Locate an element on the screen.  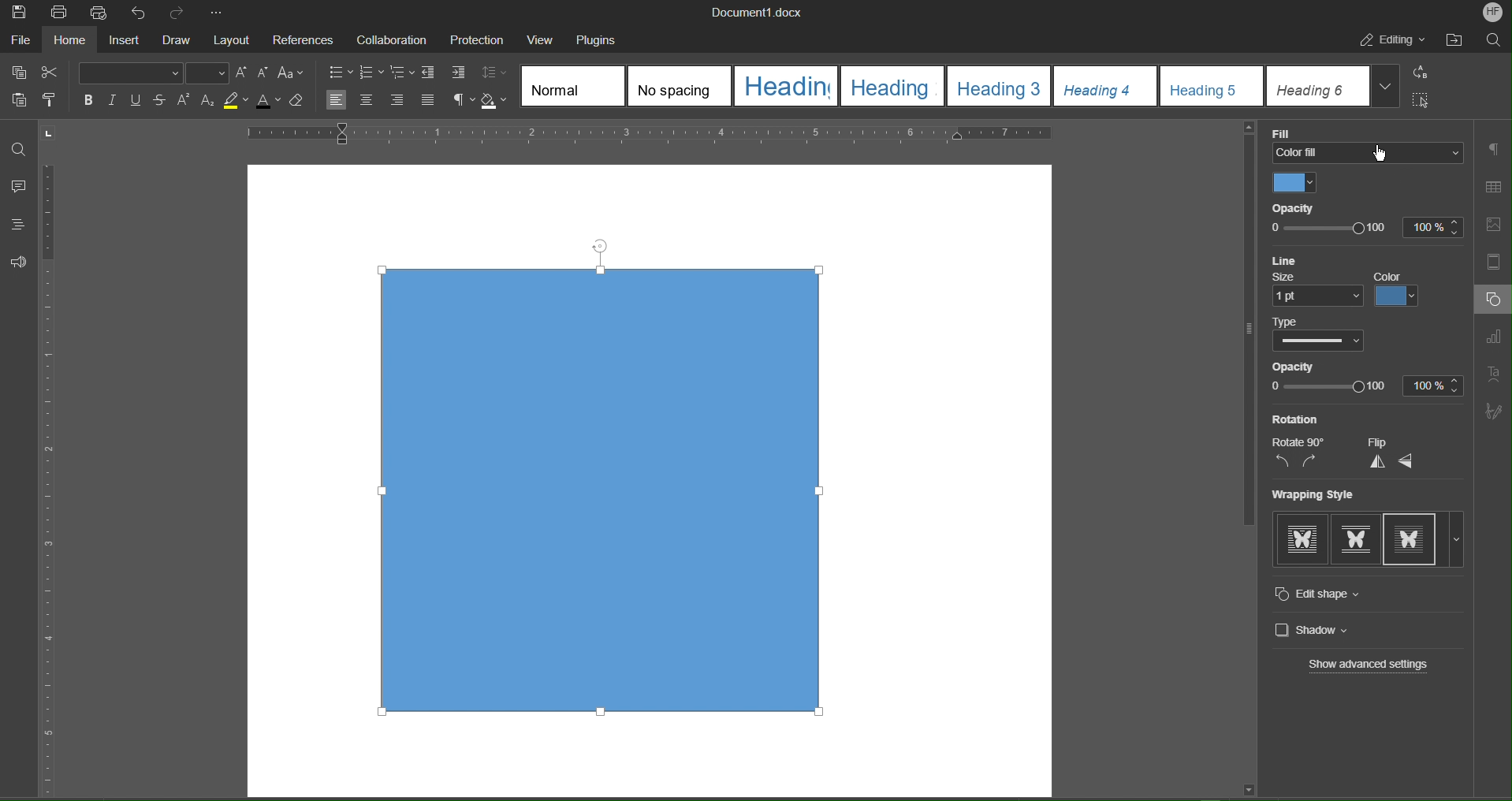
Erase Style is located at coordinates (298, 102).